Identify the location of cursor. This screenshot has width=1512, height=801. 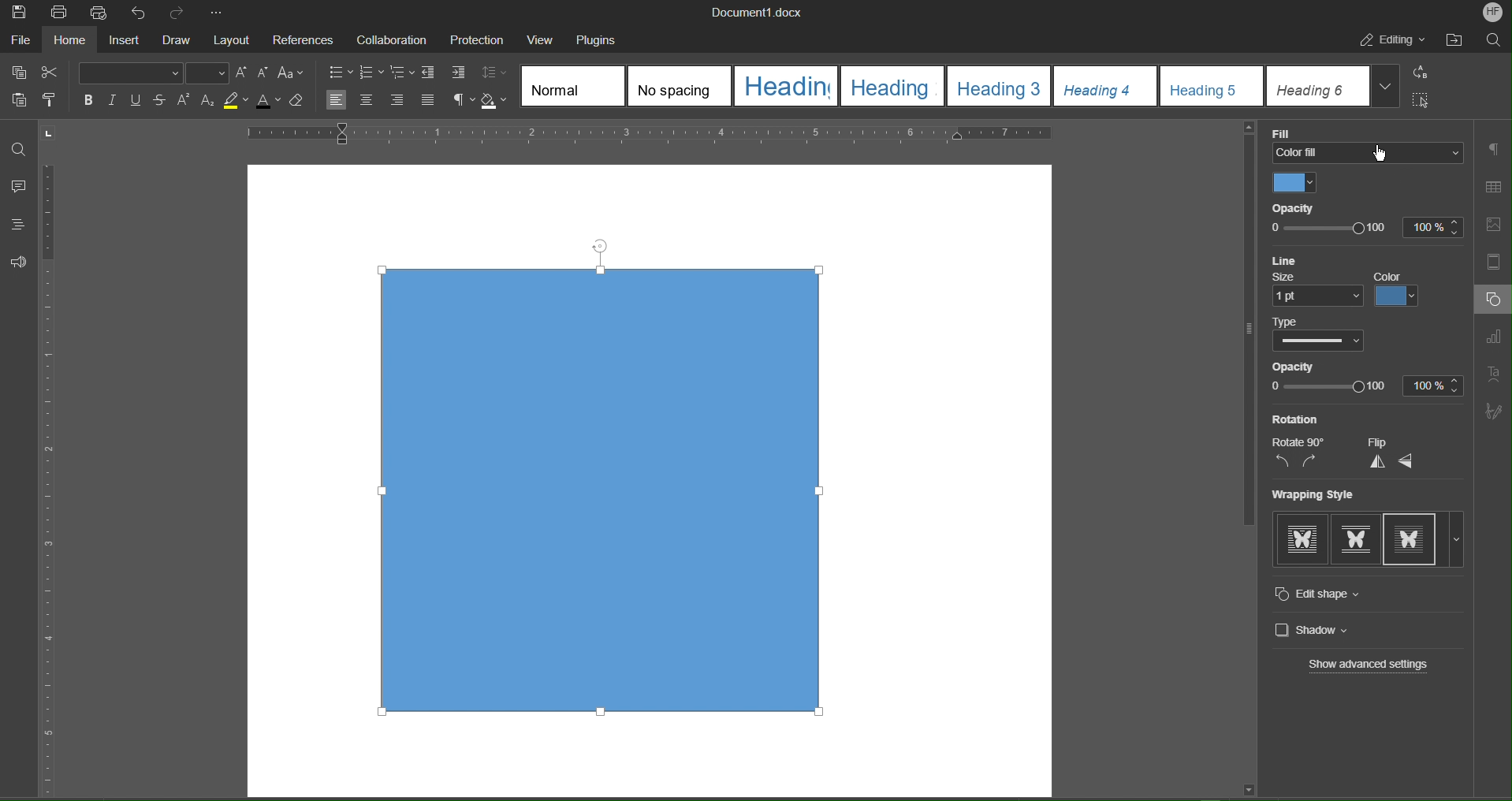
(1379, 151).